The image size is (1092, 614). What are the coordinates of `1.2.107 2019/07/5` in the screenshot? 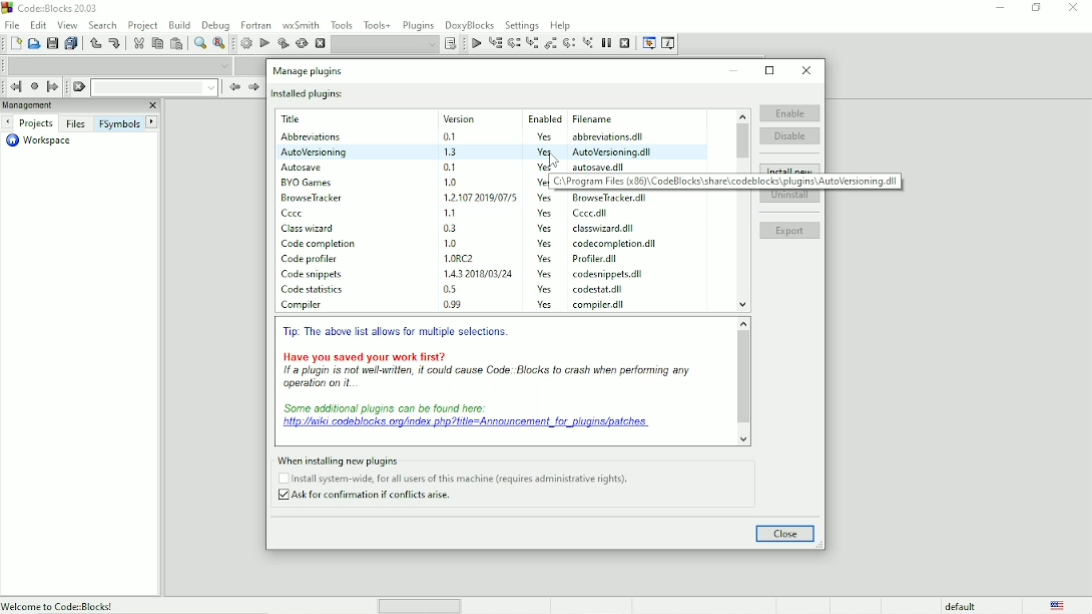 It's located at (482, 196).